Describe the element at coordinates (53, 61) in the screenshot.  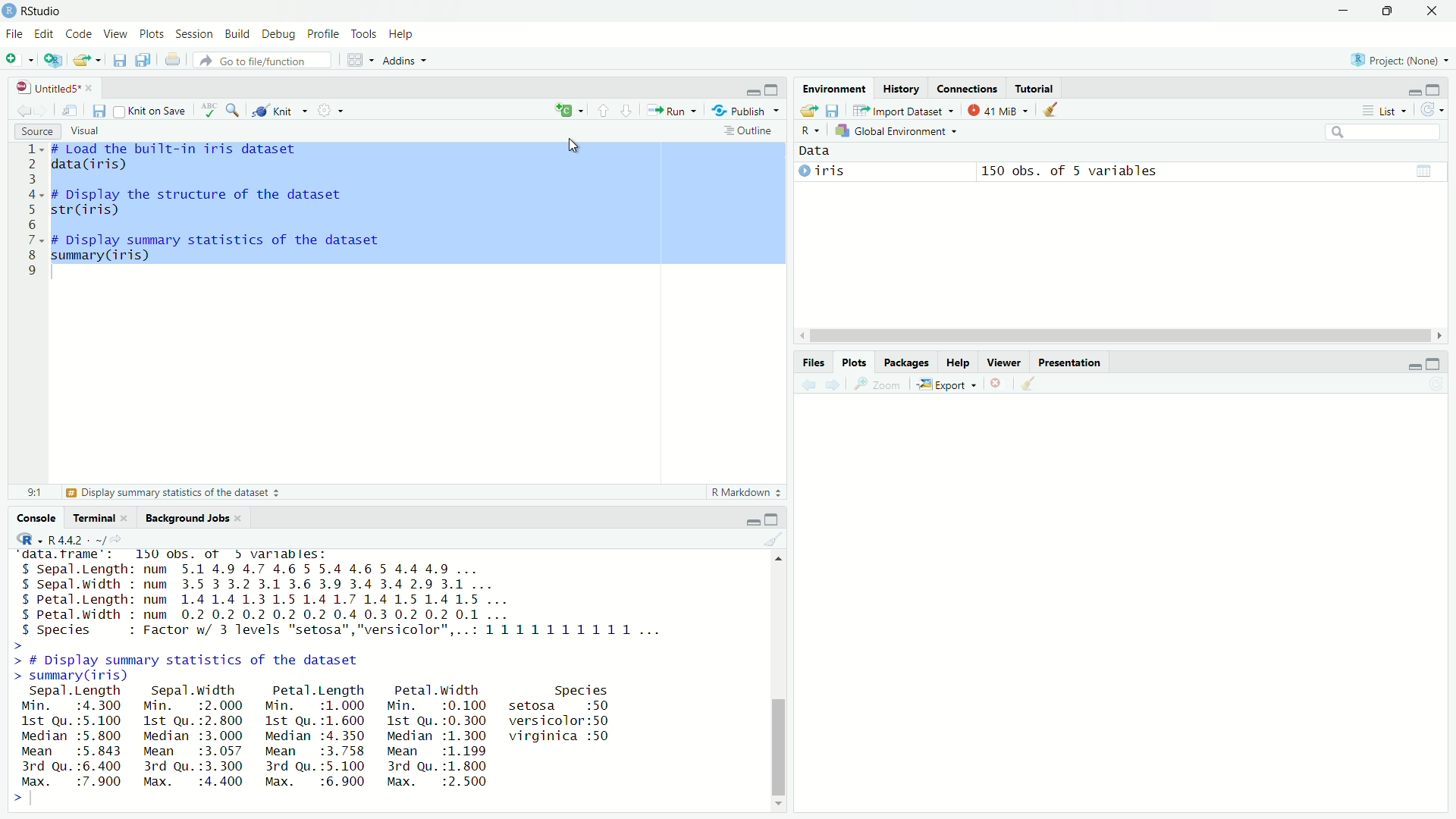
I see `Create new project` at that location.